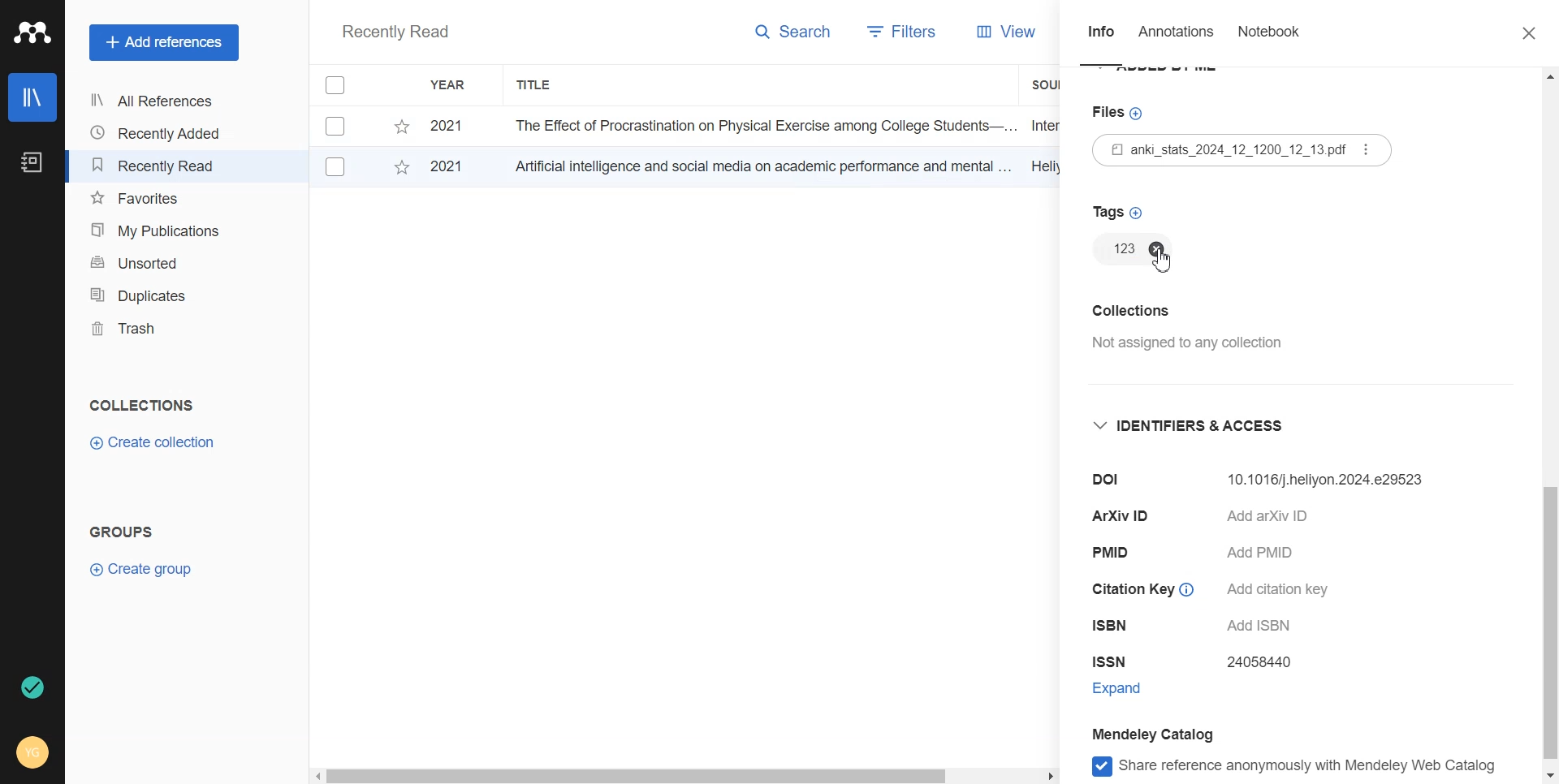 This screenshot has width=1559, height=784. I want to click on ArXiv ID Add arXiv ID, so click(1224, 519).